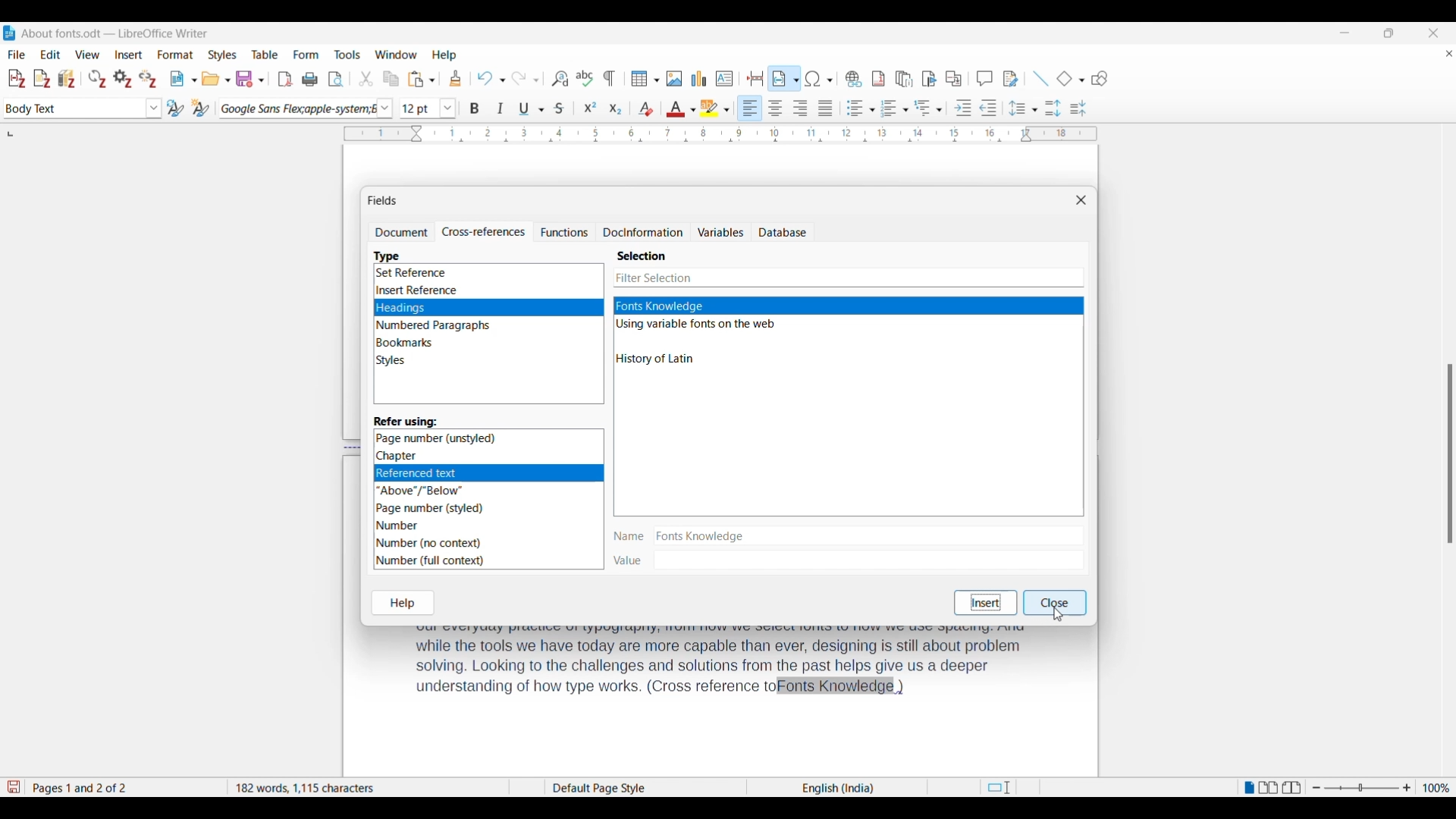  Describe the element at coordinates (1389, 33) in the screenshot. I see `Show interface in a smaller tab` at that location.